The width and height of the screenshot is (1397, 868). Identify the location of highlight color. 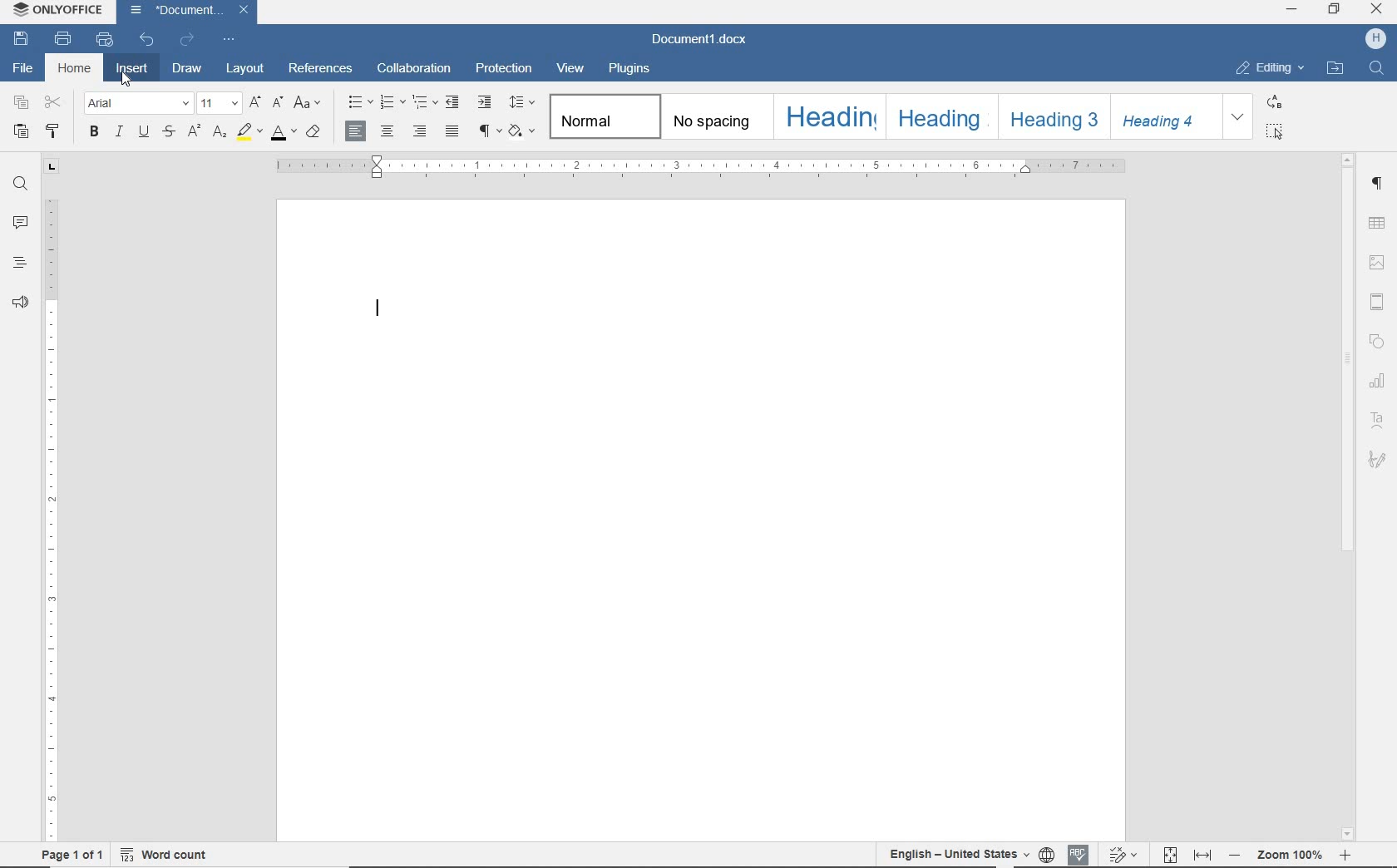
(248, 132).